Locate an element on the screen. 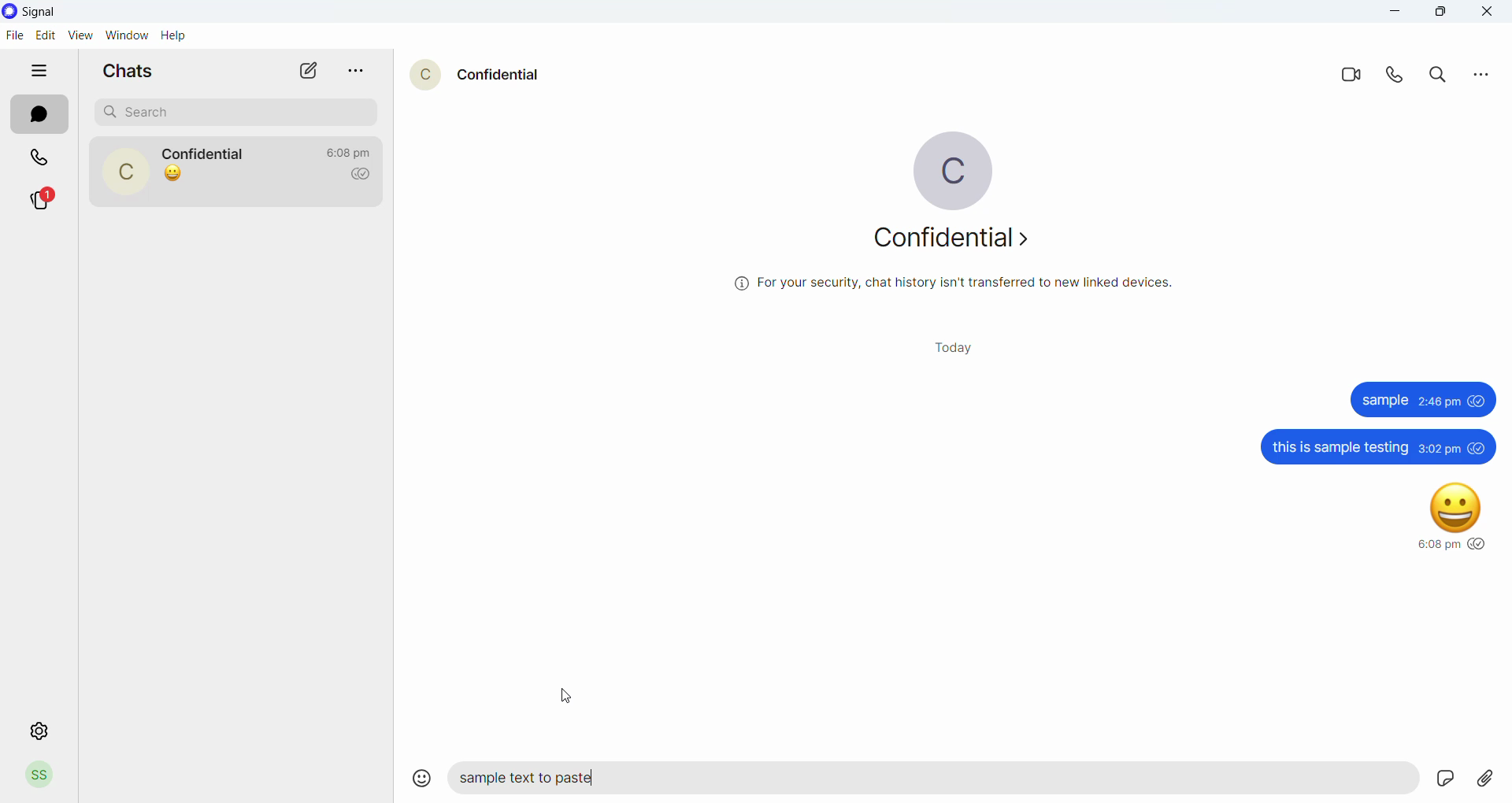 The height and width of the screenshot is (803, 1512). close is located at coordinates (1488, 13).